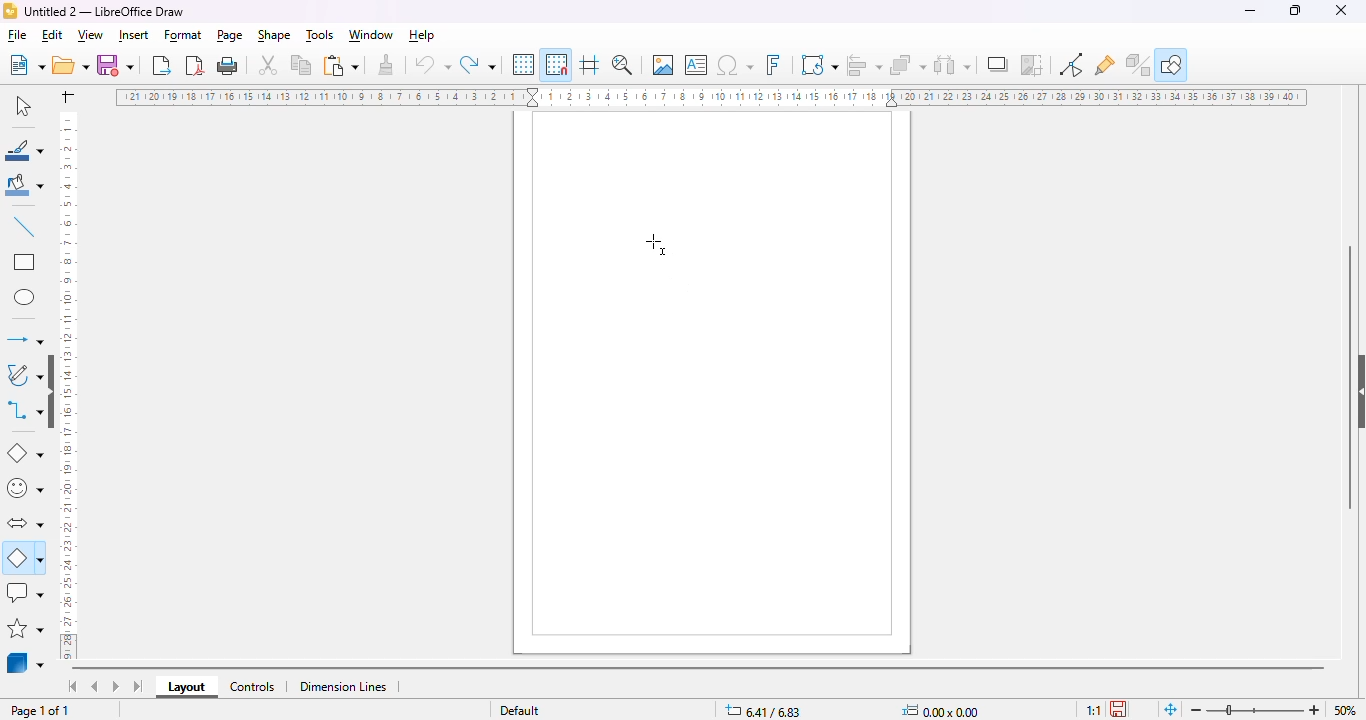 This screenshot has height=720, width=1366. Describe the element at coordinates (162, 66) in the screenshot. I see `export` at that location.